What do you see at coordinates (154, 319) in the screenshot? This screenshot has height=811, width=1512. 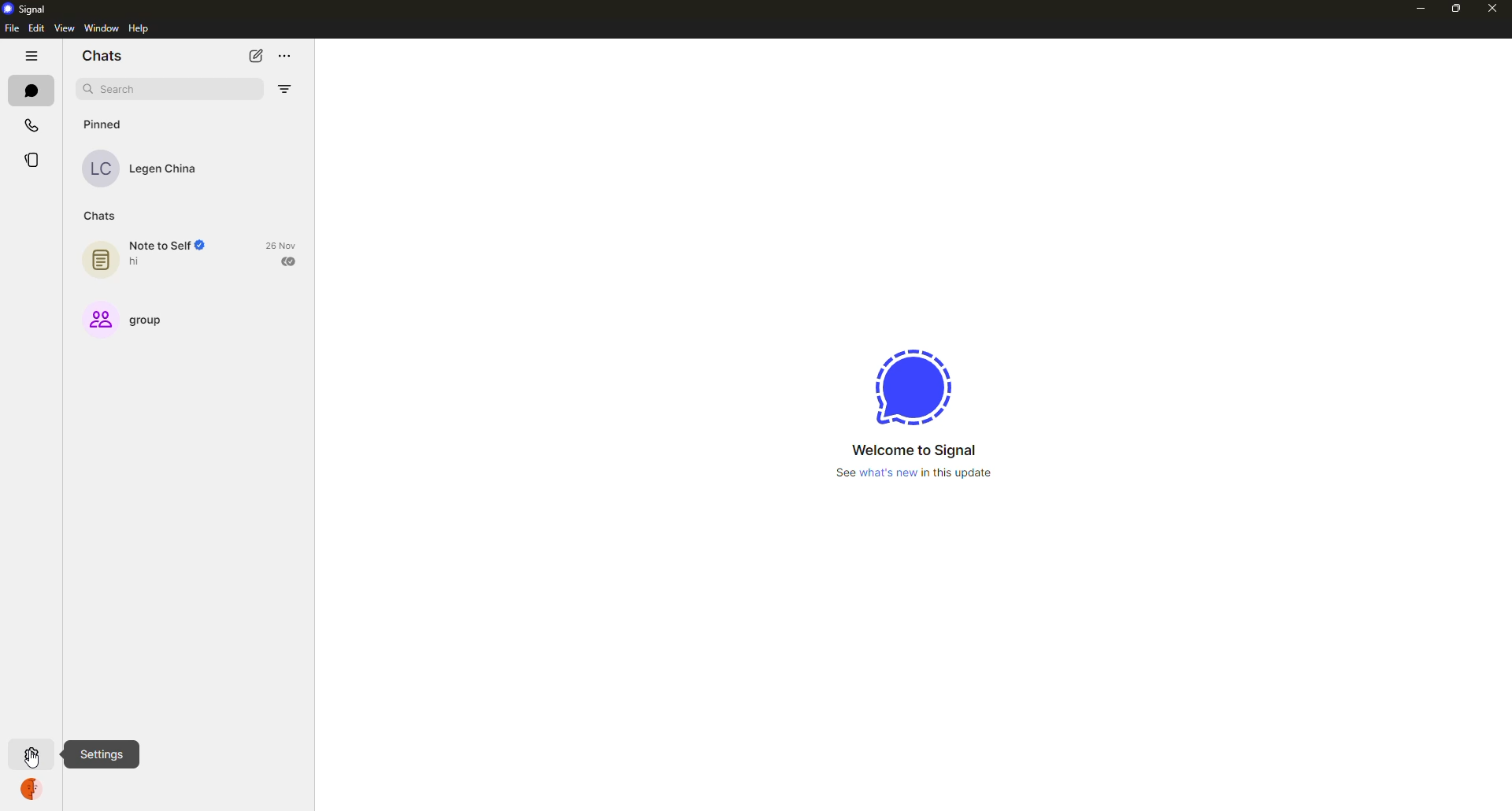 I see `group` at bounding box center [154, 319].